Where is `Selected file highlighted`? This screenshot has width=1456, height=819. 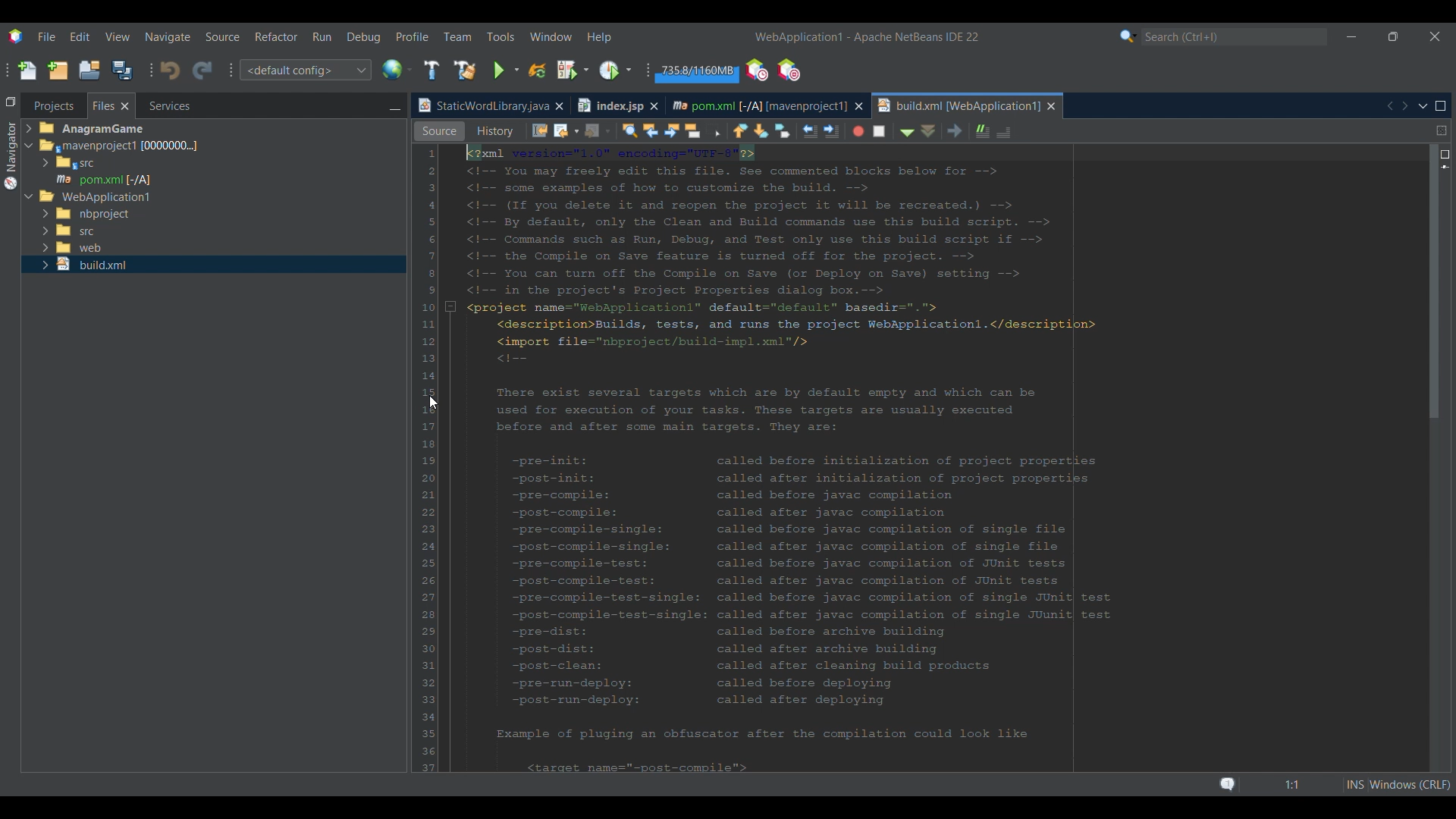
Selected file highlighted is located at coordinates (214, 179).